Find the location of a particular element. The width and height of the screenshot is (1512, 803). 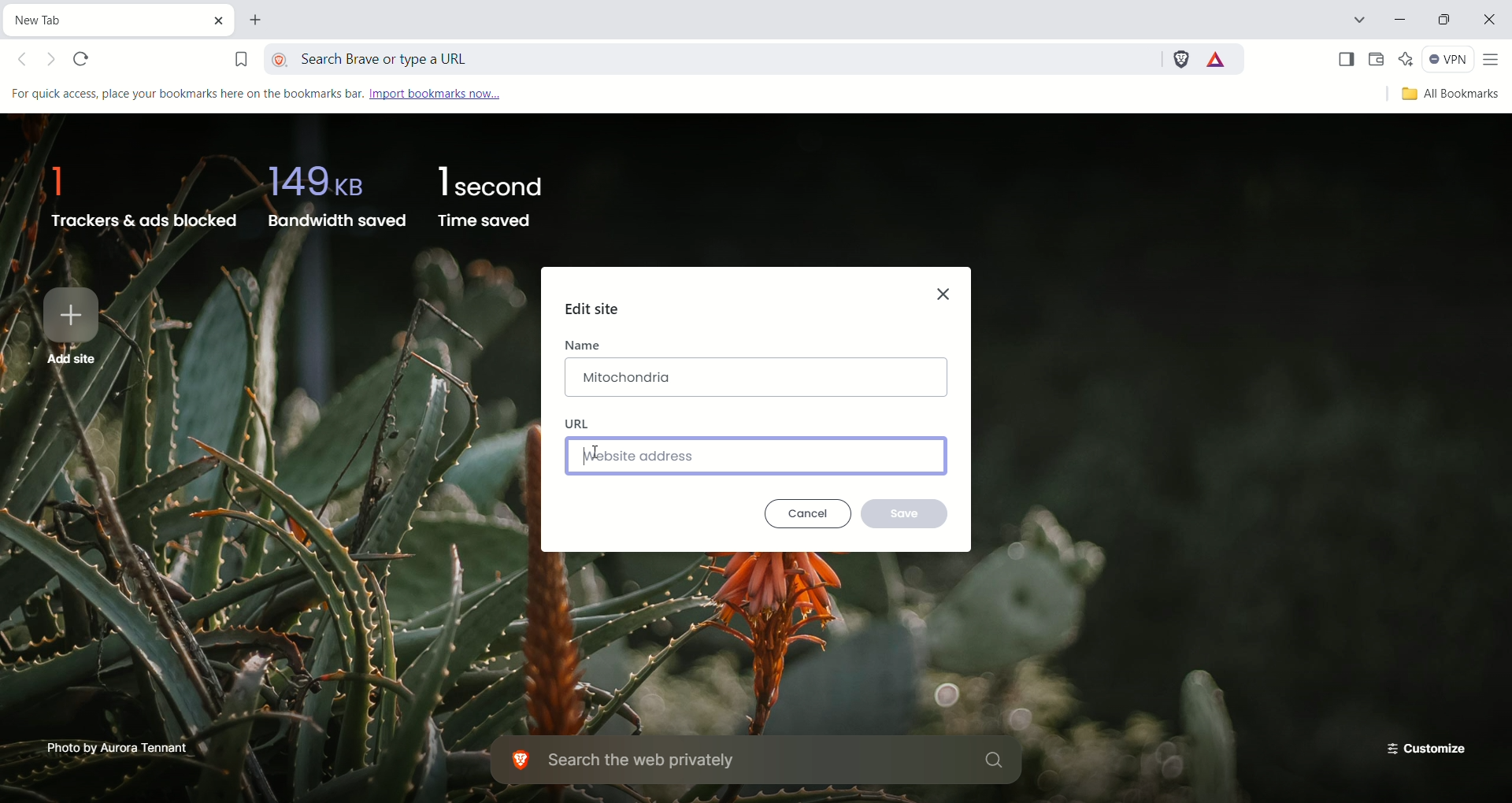

close is located at coordinates (1492, 22).